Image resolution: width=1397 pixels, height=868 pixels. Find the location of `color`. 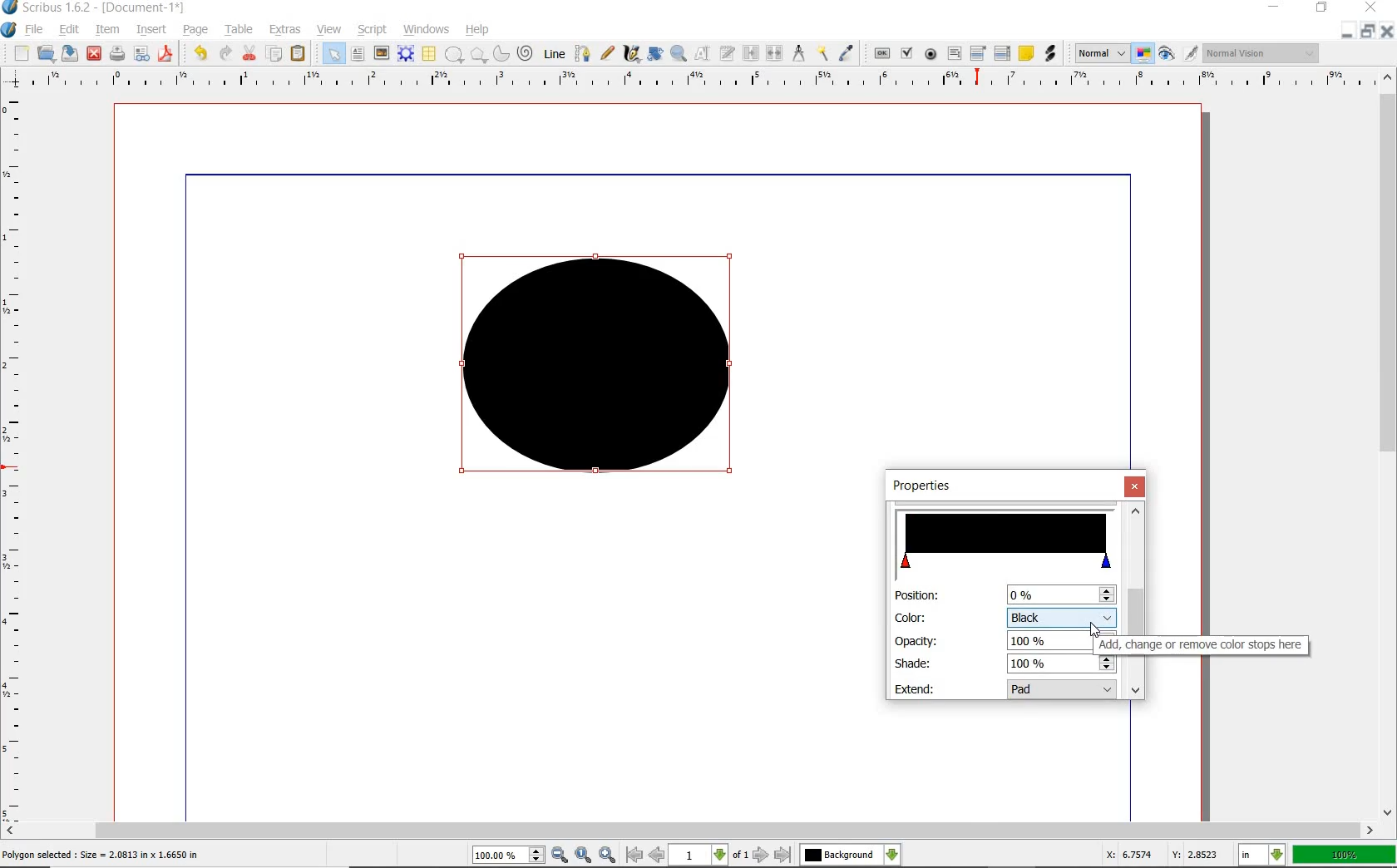

color is located at coordinates (1062, 615).